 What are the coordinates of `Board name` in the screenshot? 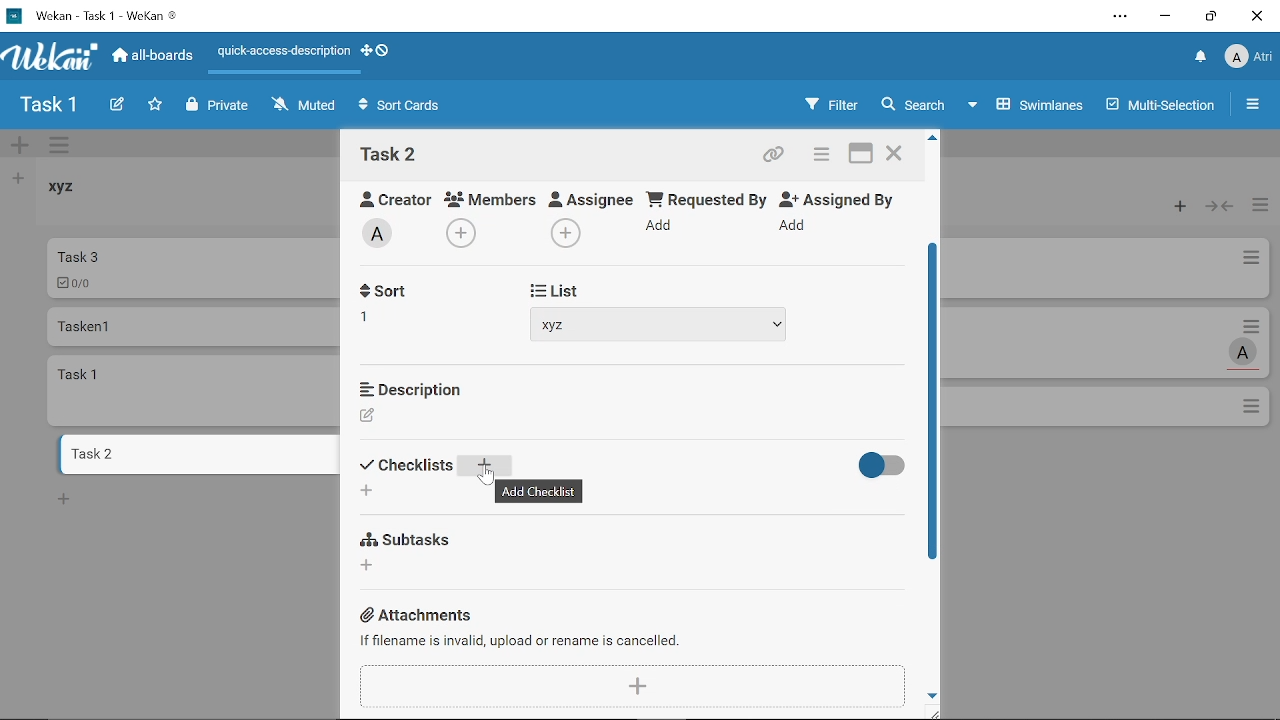 It's located at (48, 105).